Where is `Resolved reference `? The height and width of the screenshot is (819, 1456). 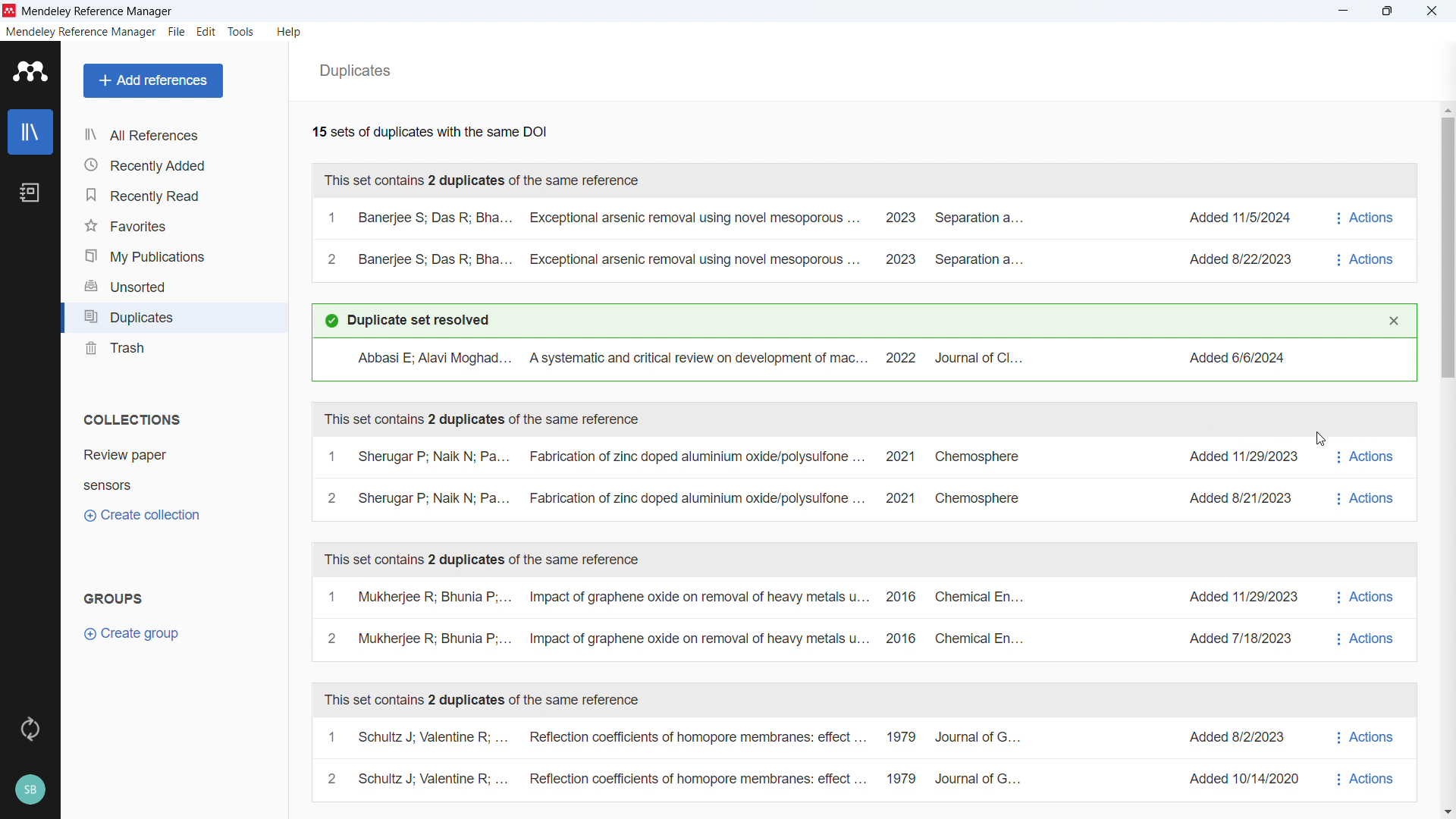
Resolved reference  is located at coordinates (862, 359).